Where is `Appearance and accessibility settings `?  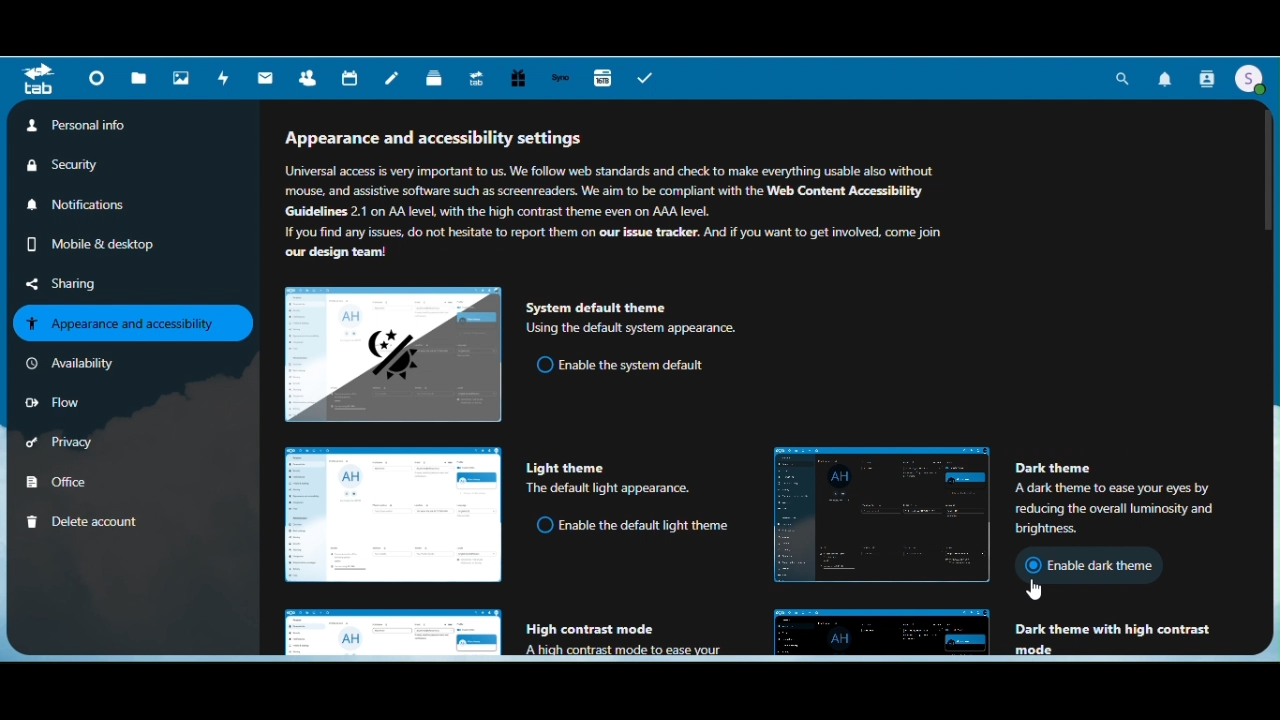
Appearance and accessibility settings  is located at coordinates (629, 197).